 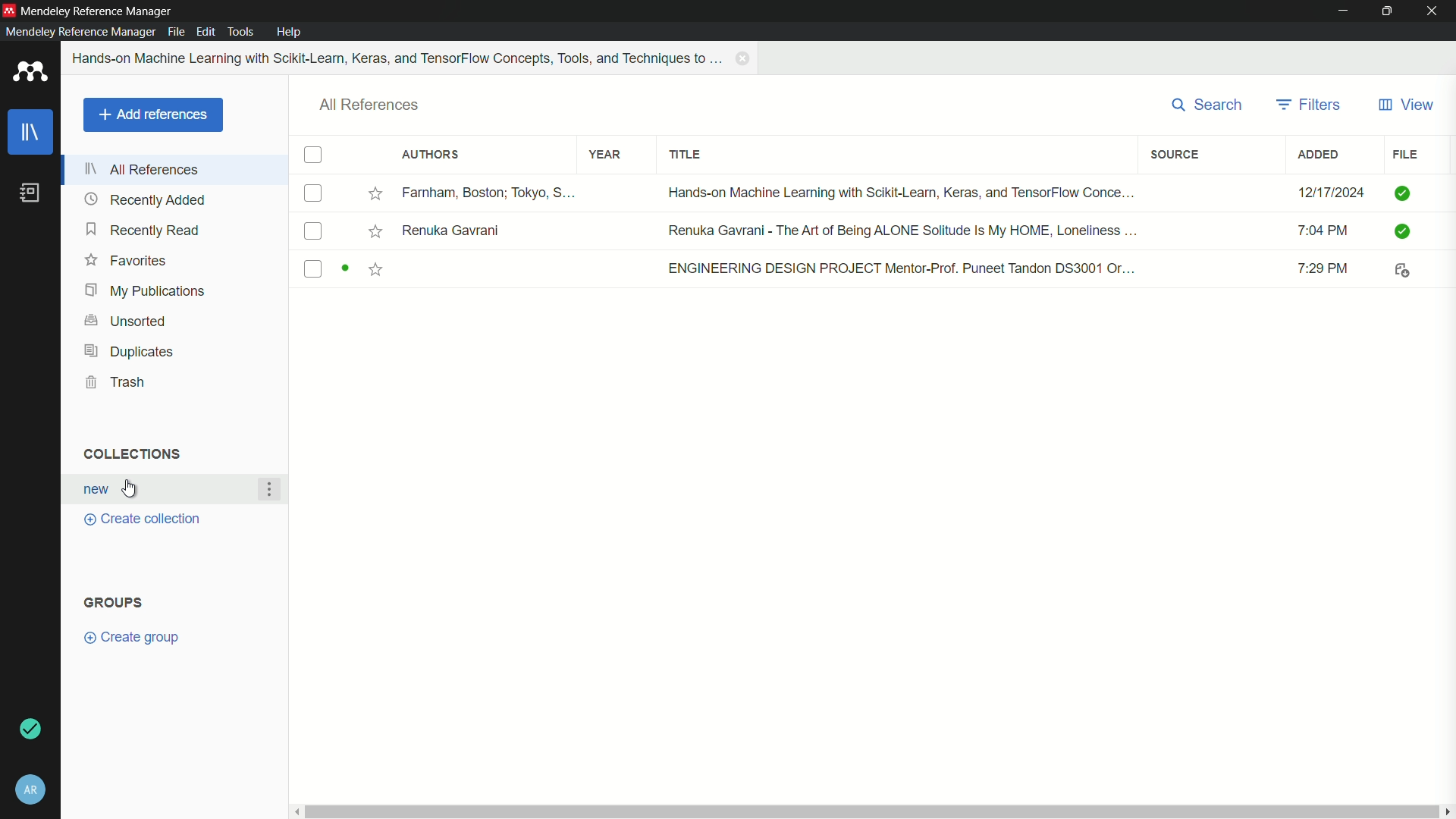 I want to click on view, so click(x=1405, y=105).